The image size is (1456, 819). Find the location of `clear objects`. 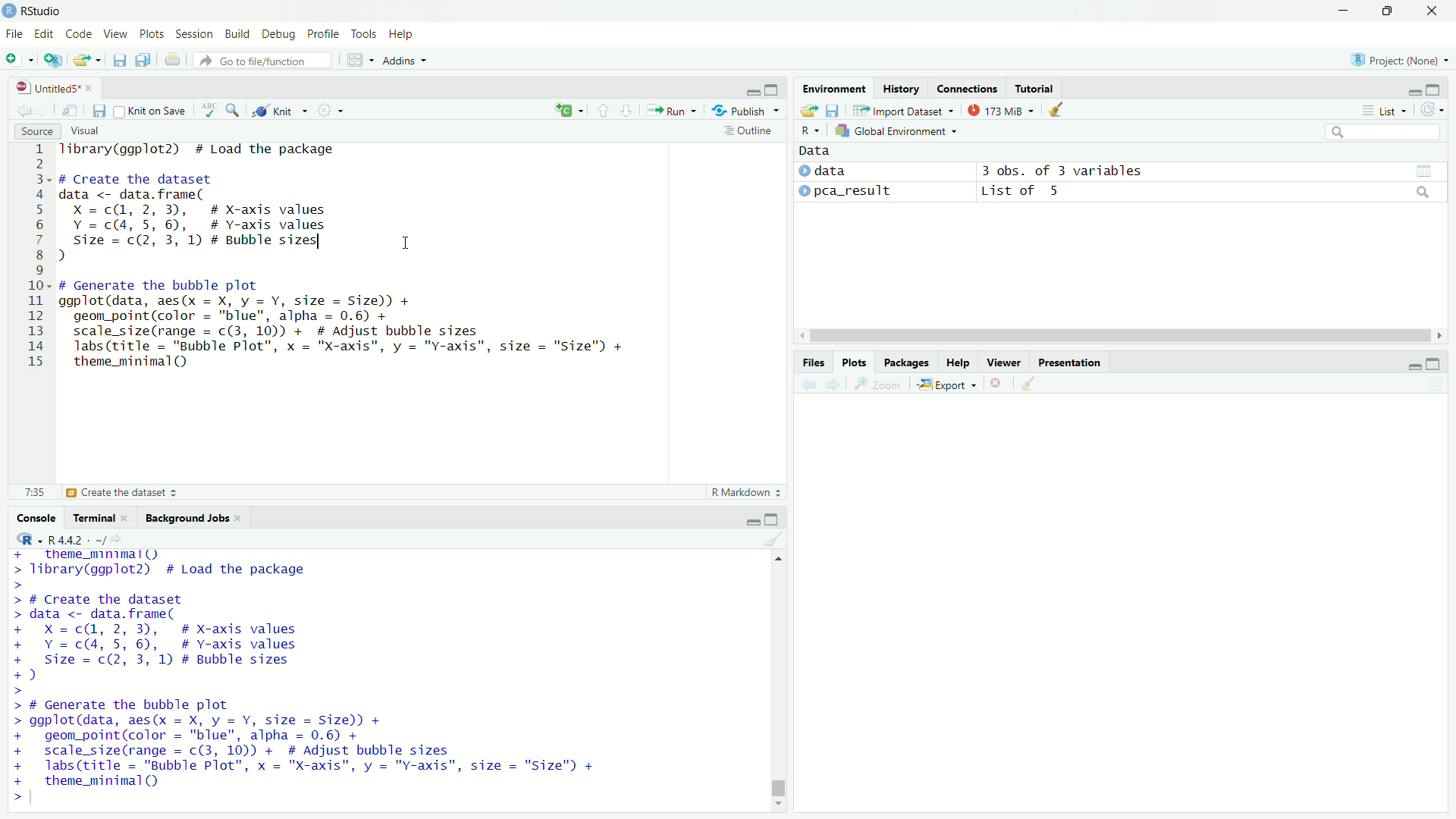

clear objects is located at coordinates (1057, 108).